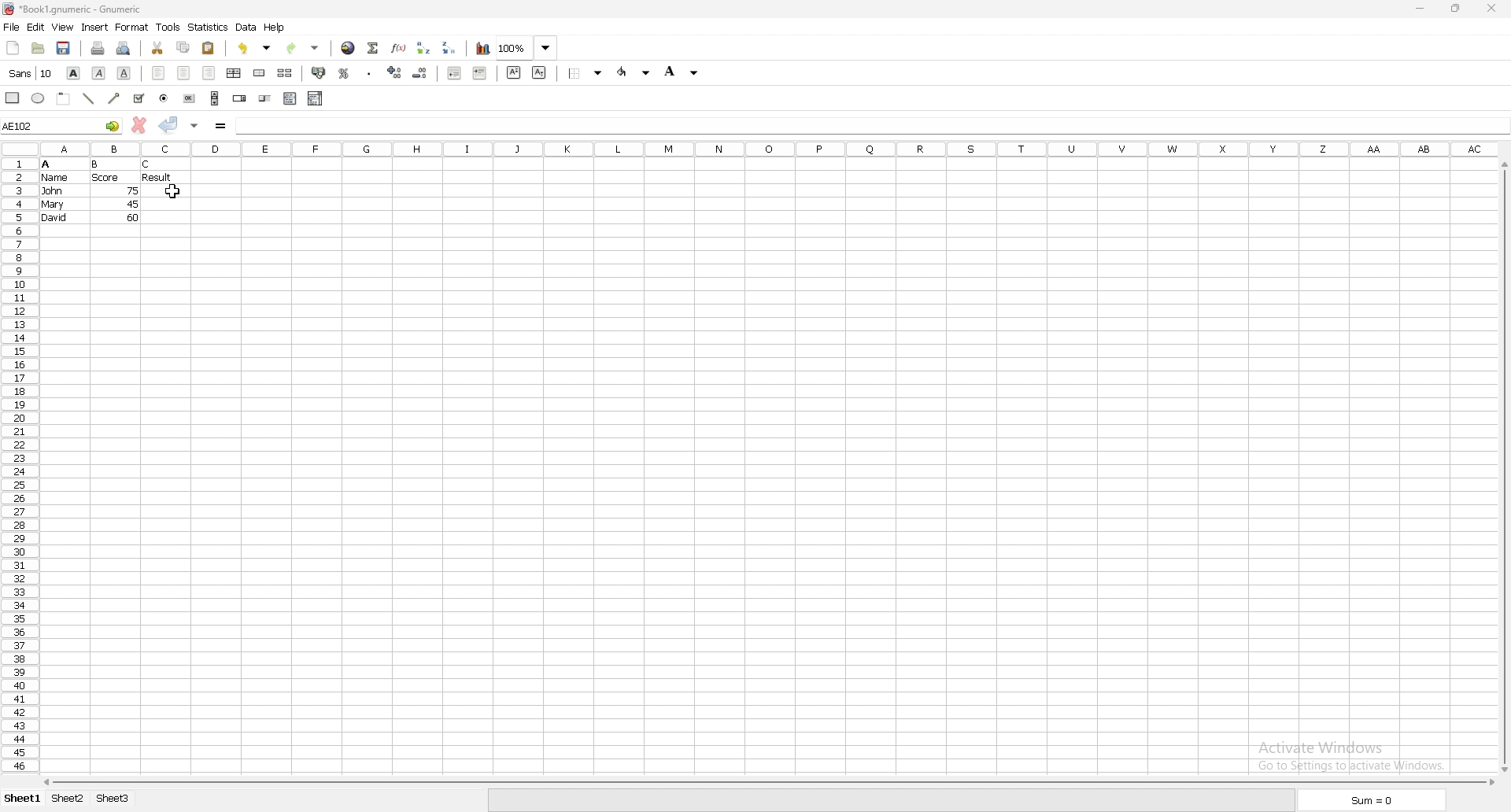 The width and height of the screenshot is (1511, 812). I want to click on slider, so click(266, 98).